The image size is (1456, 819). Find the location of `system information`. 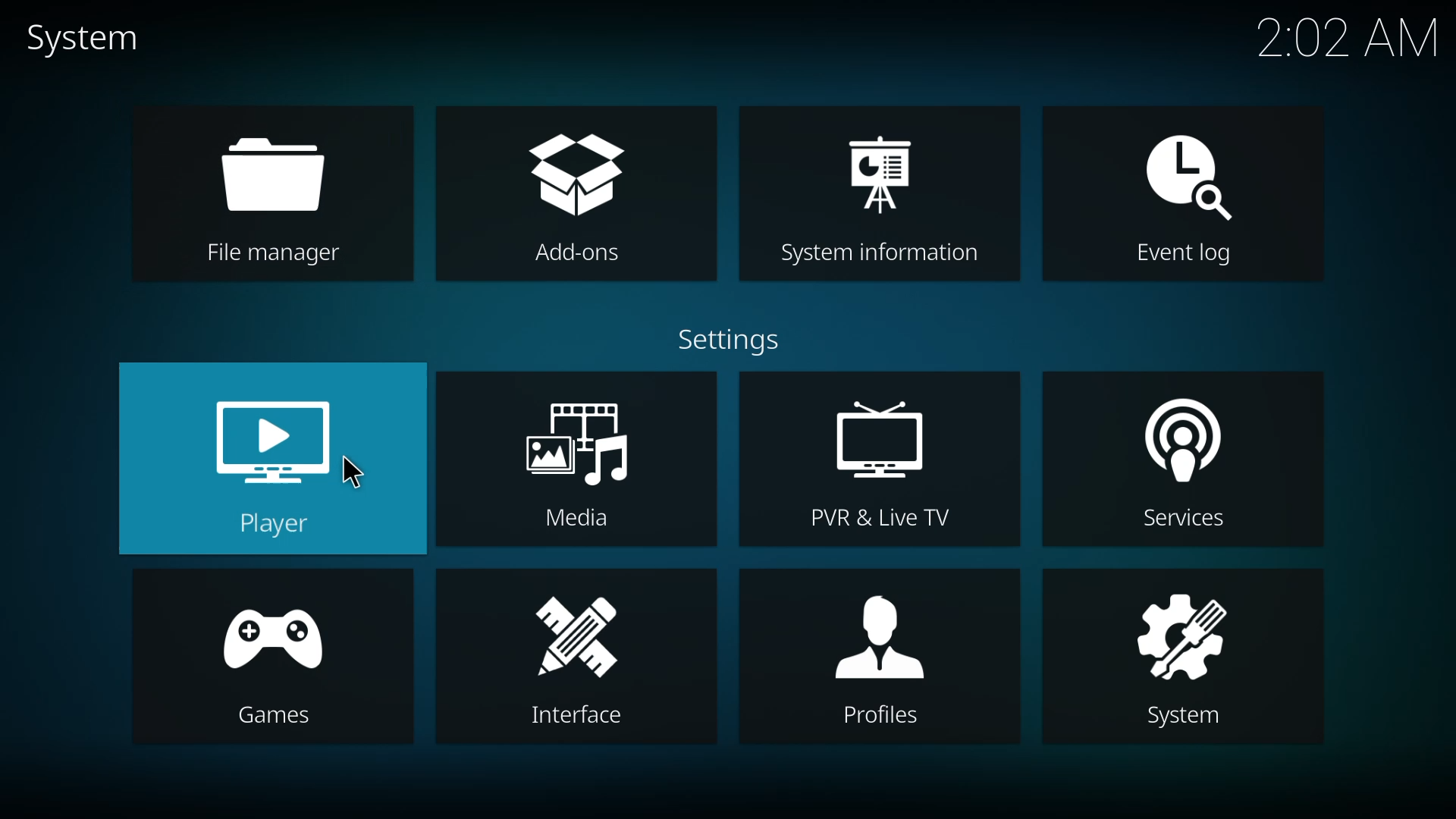

system information is located at coordinates (880, 196).